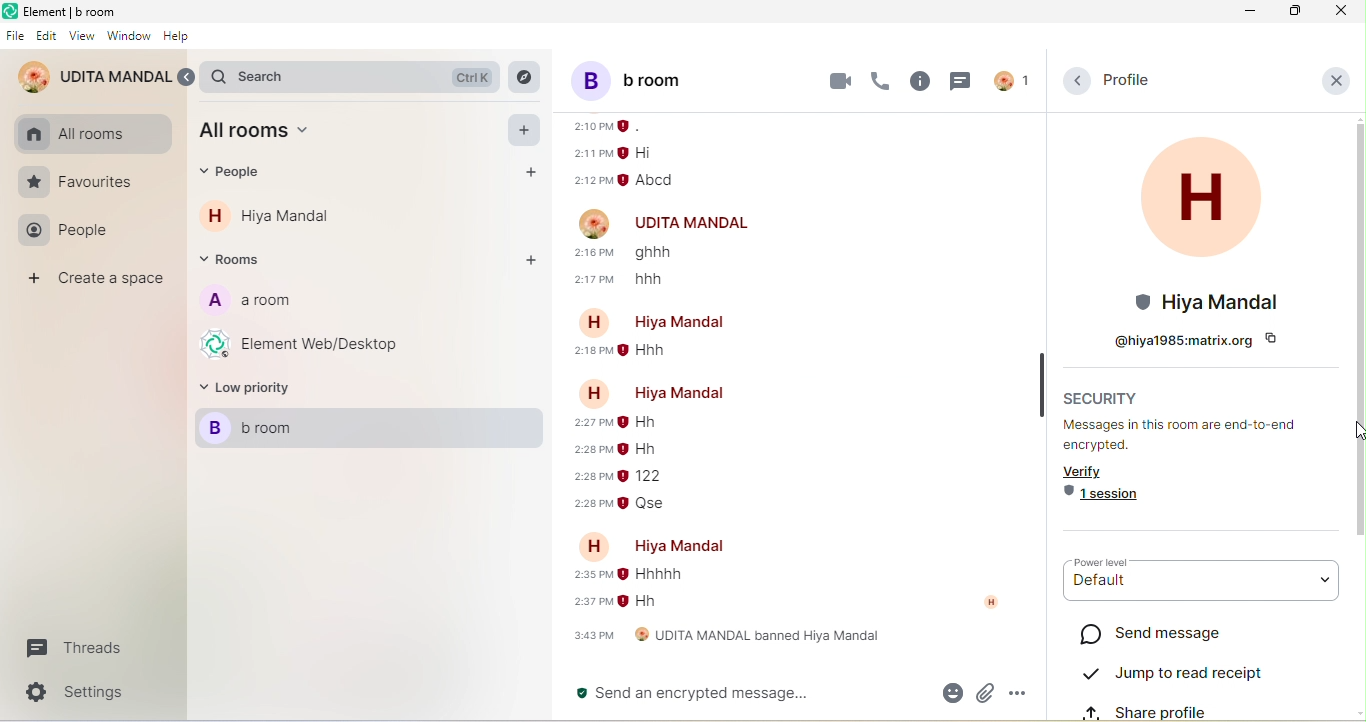 The image size is (1366, 722). Describe the element at coordinates (1010, 80) in the screenshot. I see `account` at that location.